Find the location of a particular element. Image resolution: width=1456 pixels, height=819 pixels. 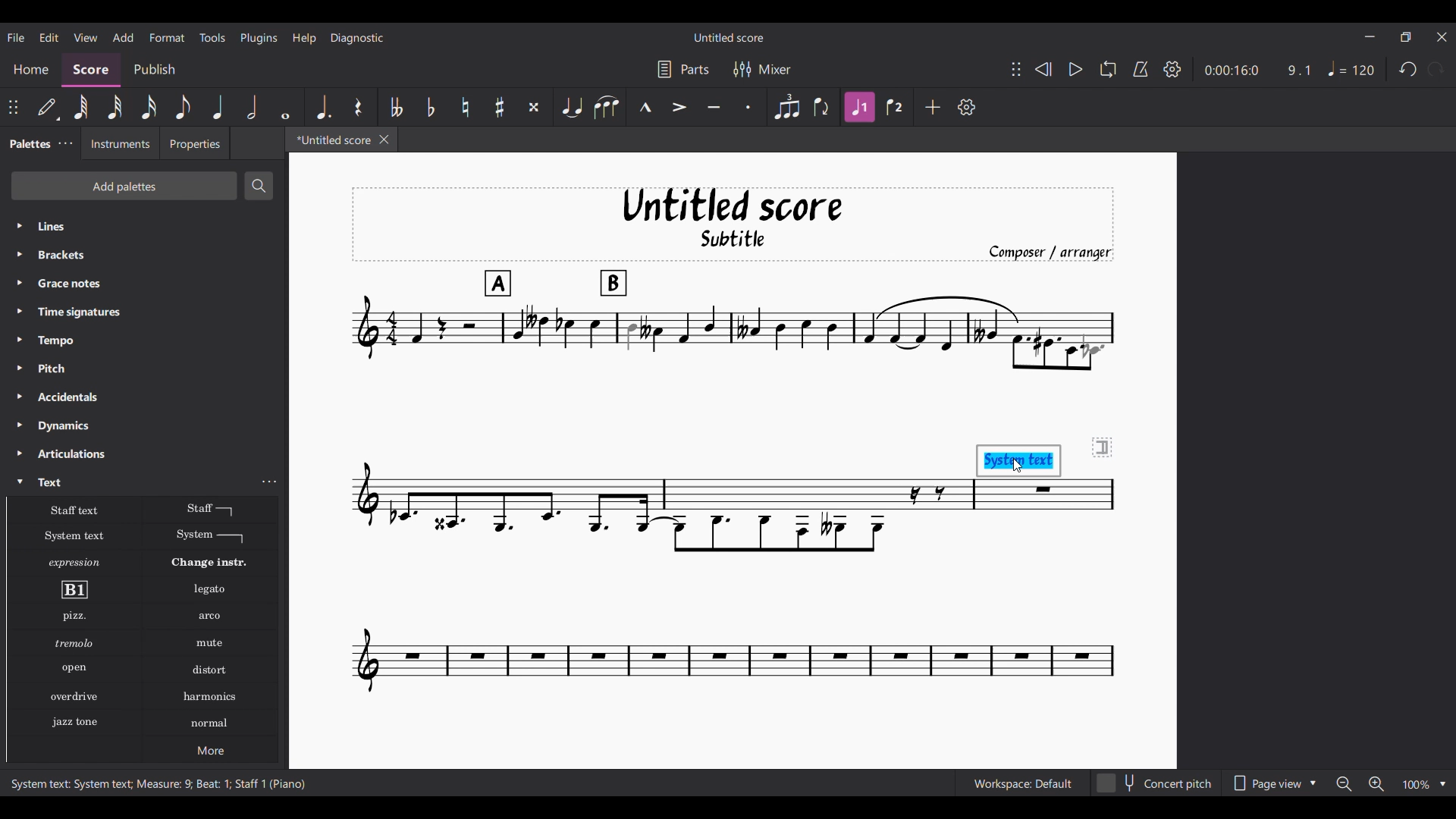

Open is located at coordinates (74, 669).